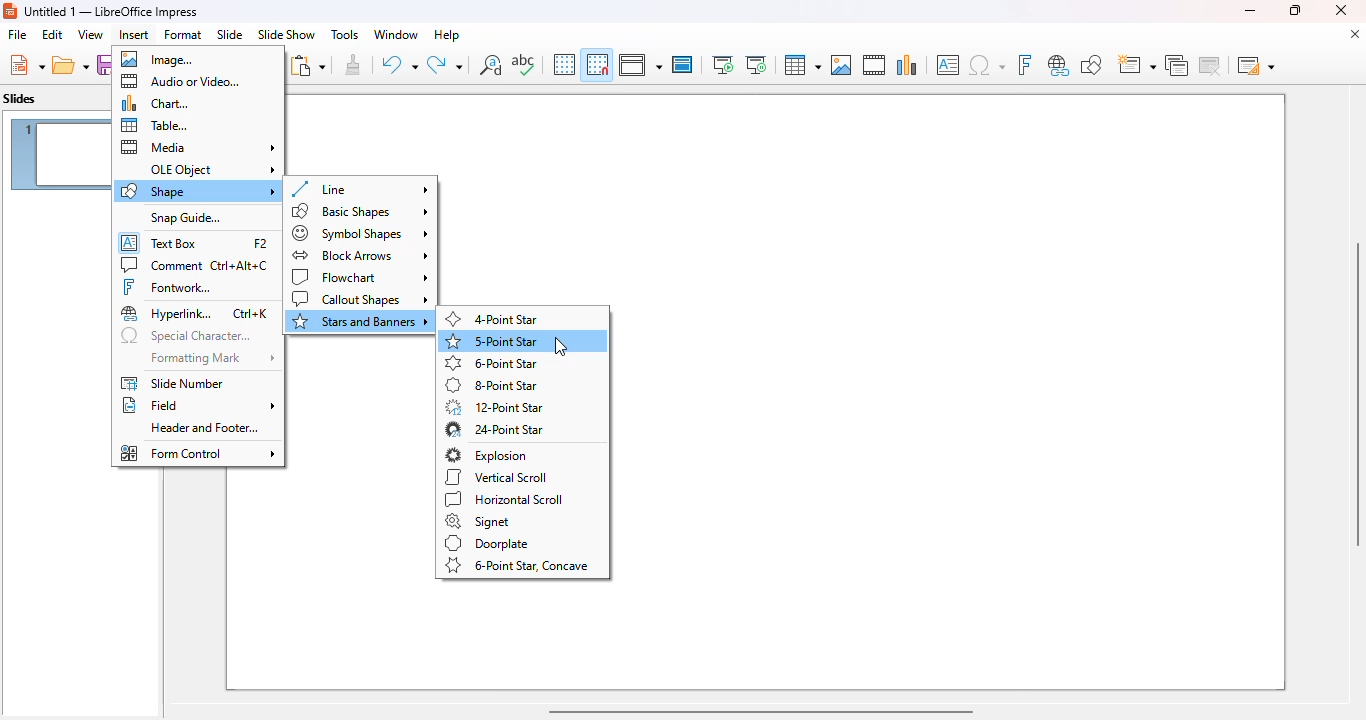  What do you see at coordinates (361, 211) in the screenshot?
I see `basic shapes` at bounding box center [361, 211].